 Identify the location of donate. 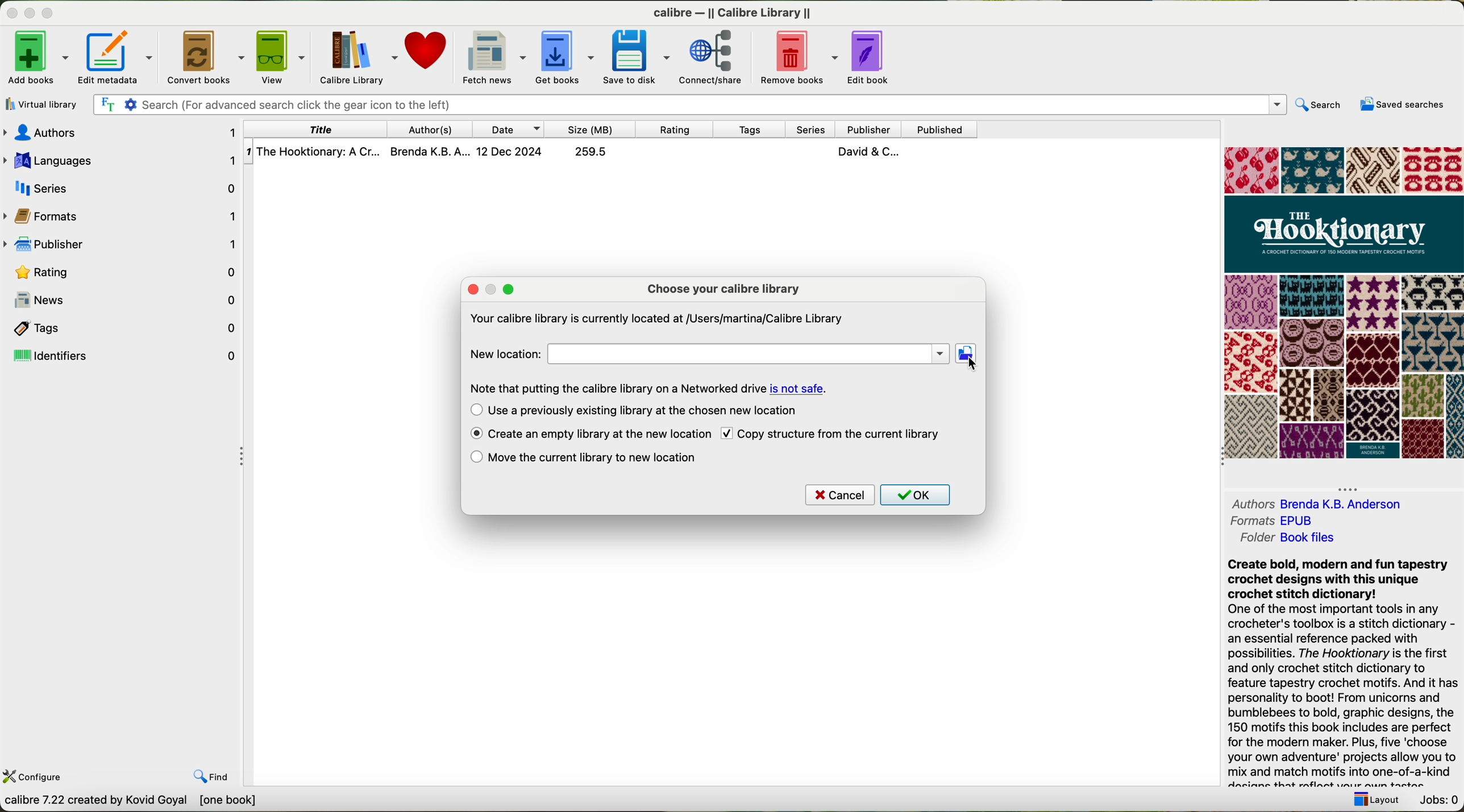
(430, 52).